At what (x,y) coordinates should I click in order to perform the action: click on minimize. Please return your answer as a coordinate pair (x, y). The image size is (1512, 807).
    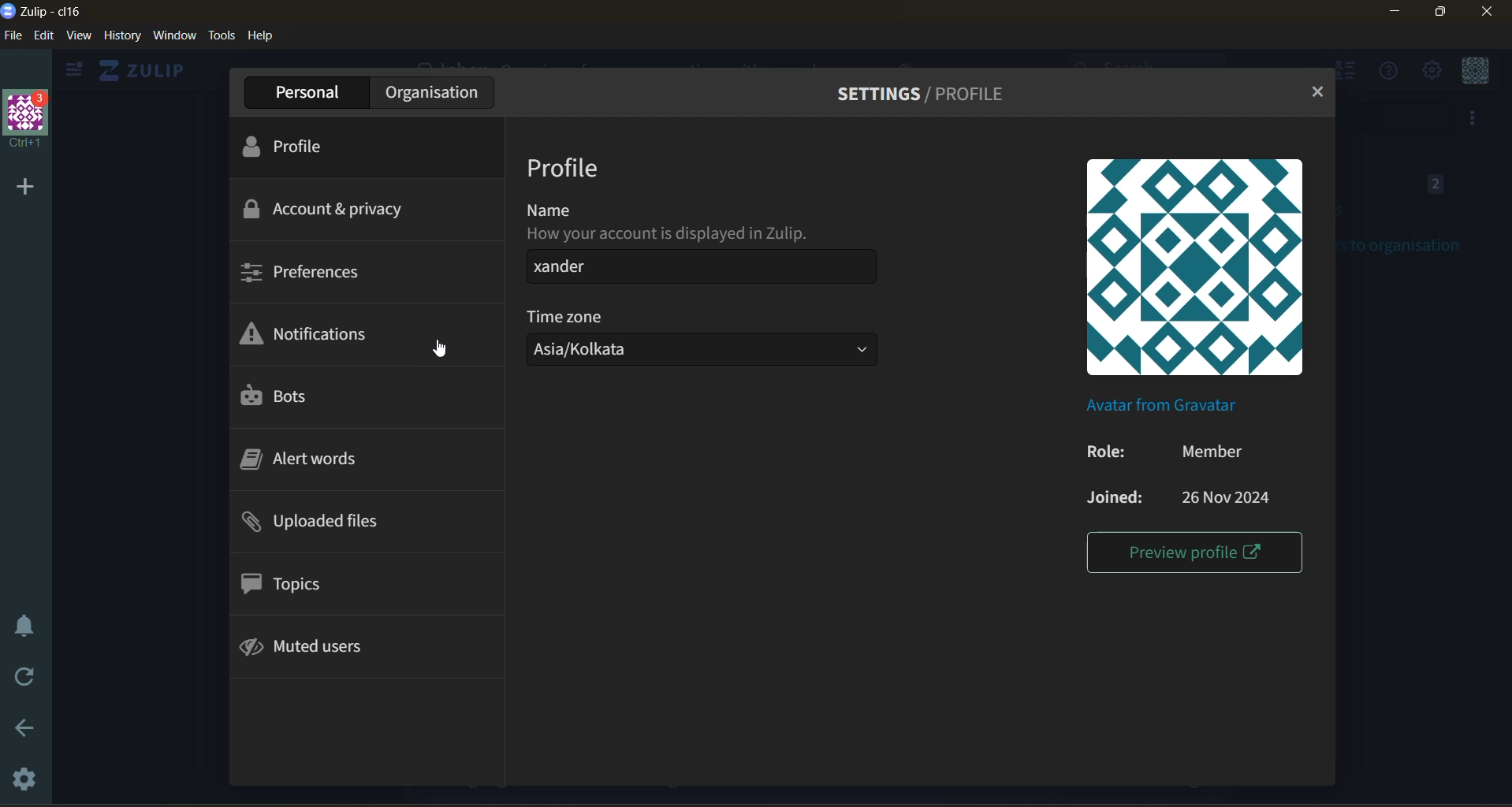
    Looking at the image, I should click on (1396, 11).